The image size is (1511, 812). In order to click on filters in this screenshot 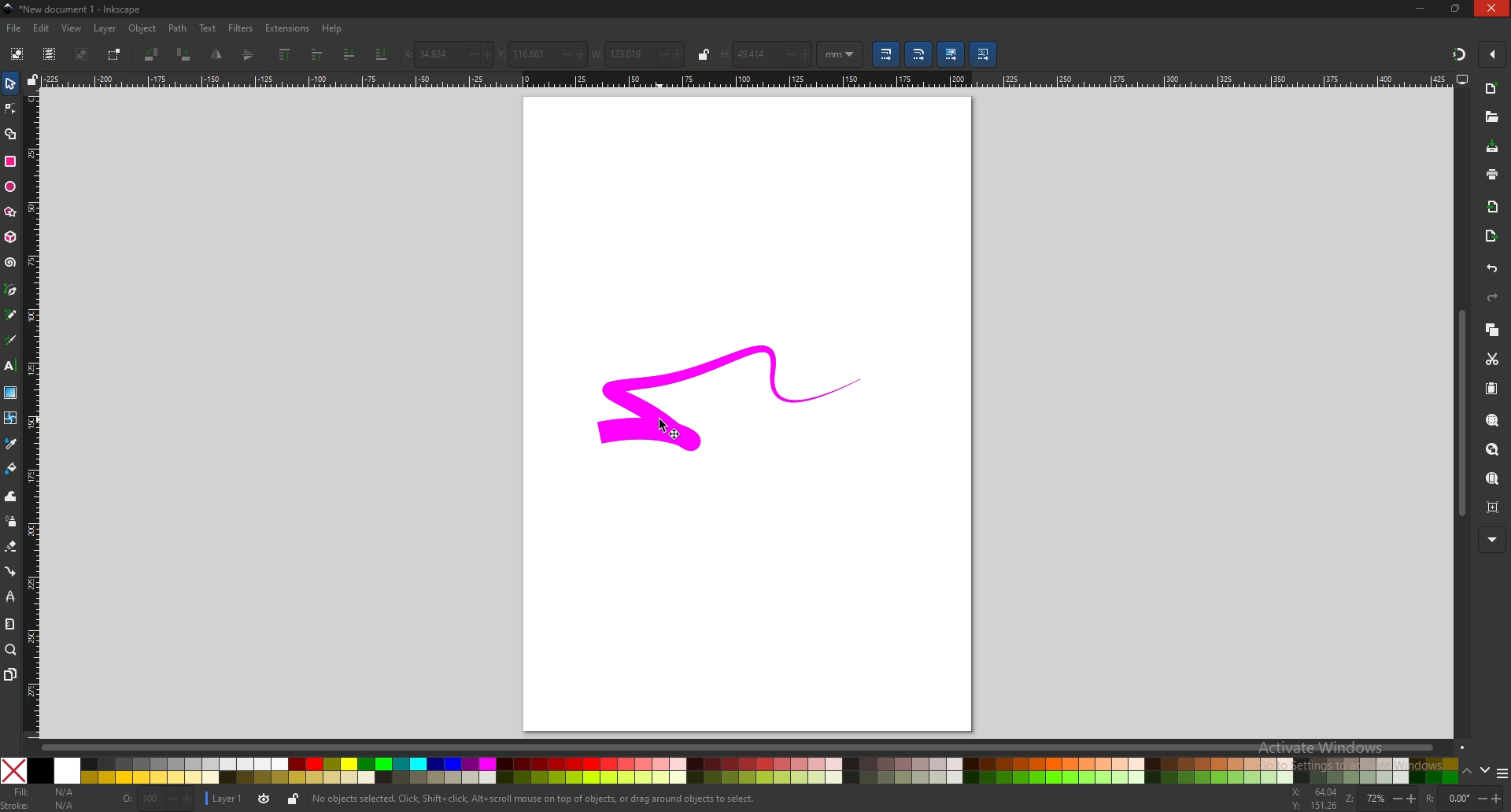, I will do `click(240, 28)`.